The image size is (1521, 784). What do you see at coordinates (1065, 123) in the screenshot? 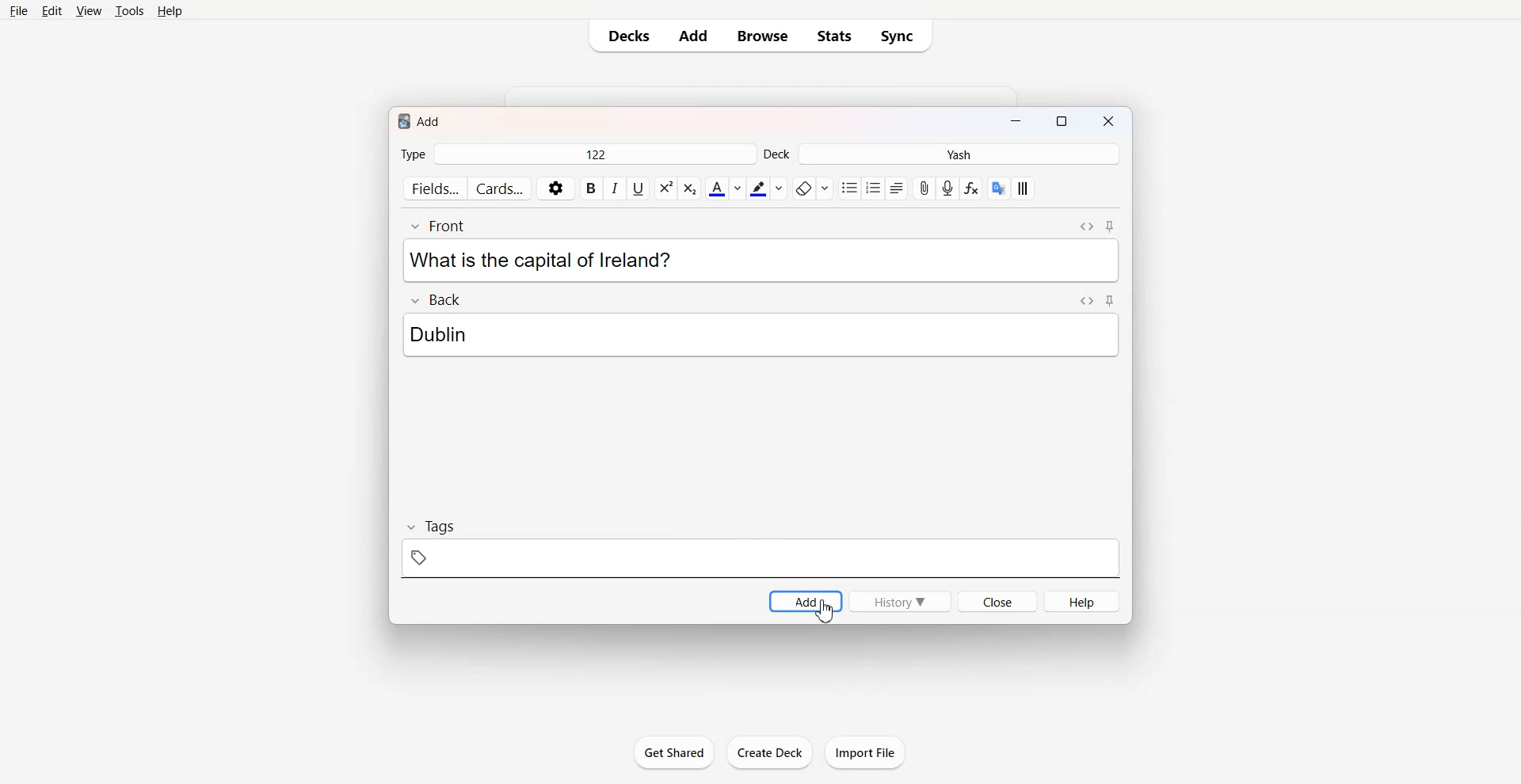
I see `Maximize` at bounding box center [1065, 123].